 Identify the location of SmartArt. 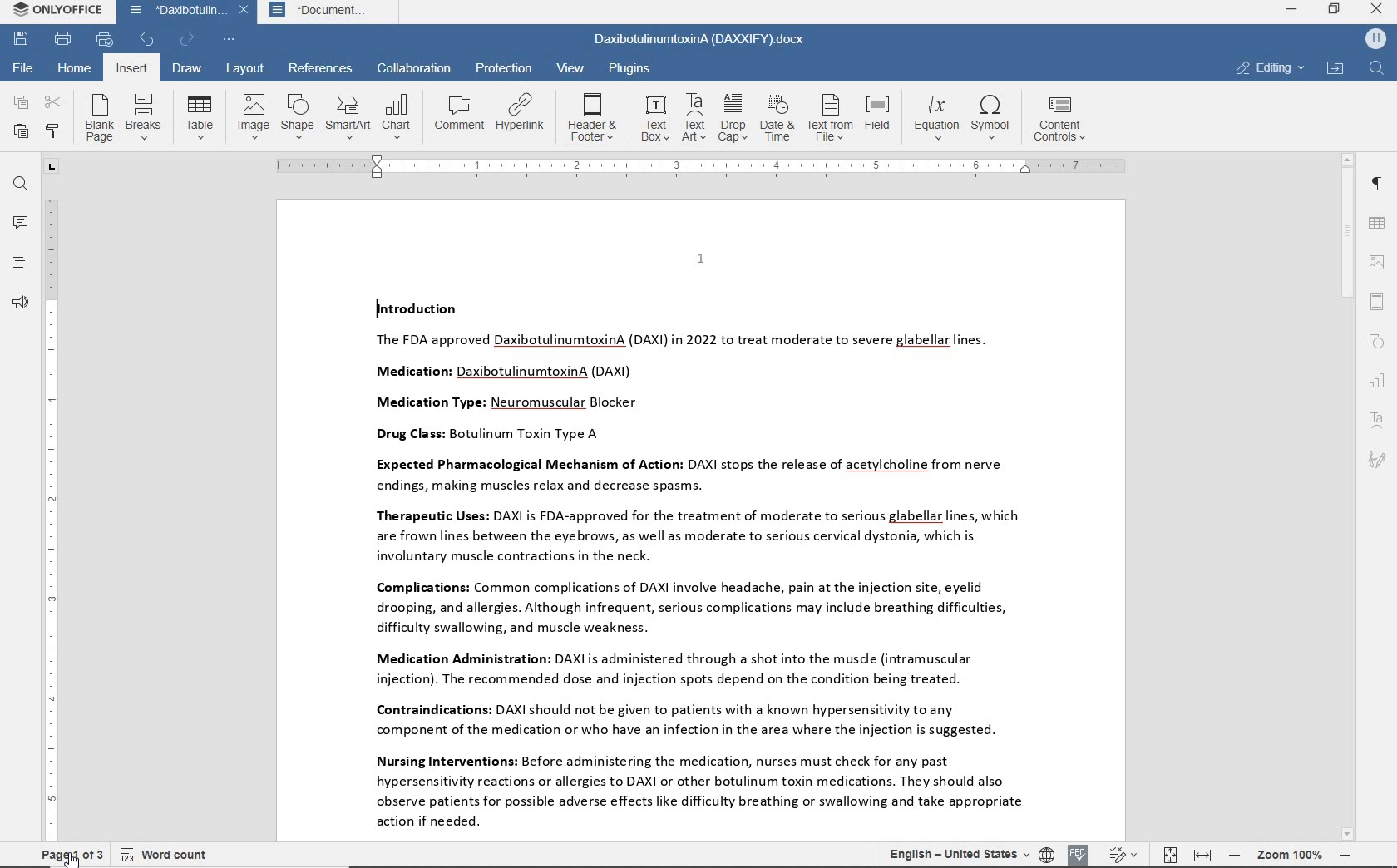
(348, 117).